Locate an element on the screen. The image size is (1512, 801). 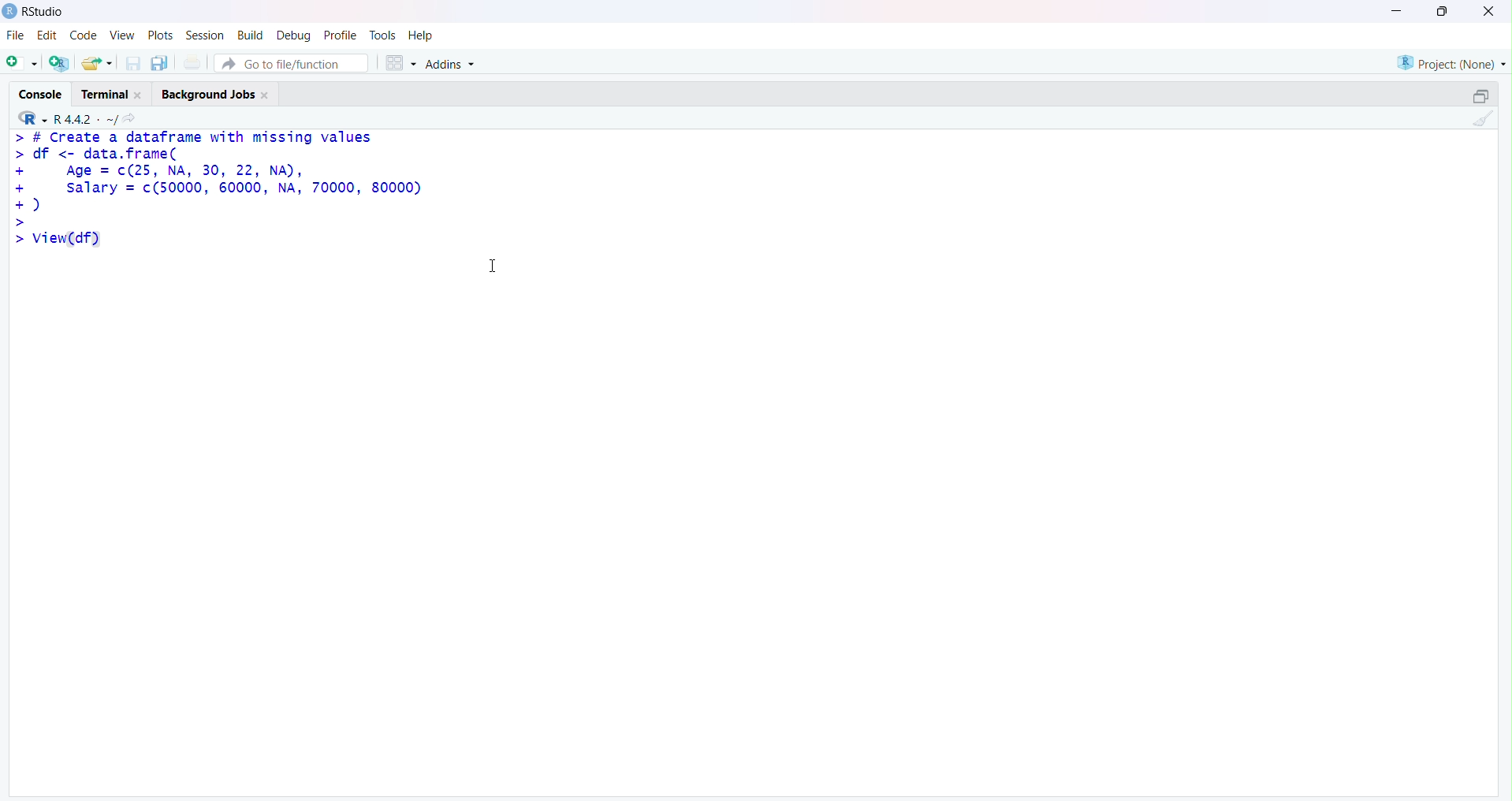
R is located at coordinates (30, 117).